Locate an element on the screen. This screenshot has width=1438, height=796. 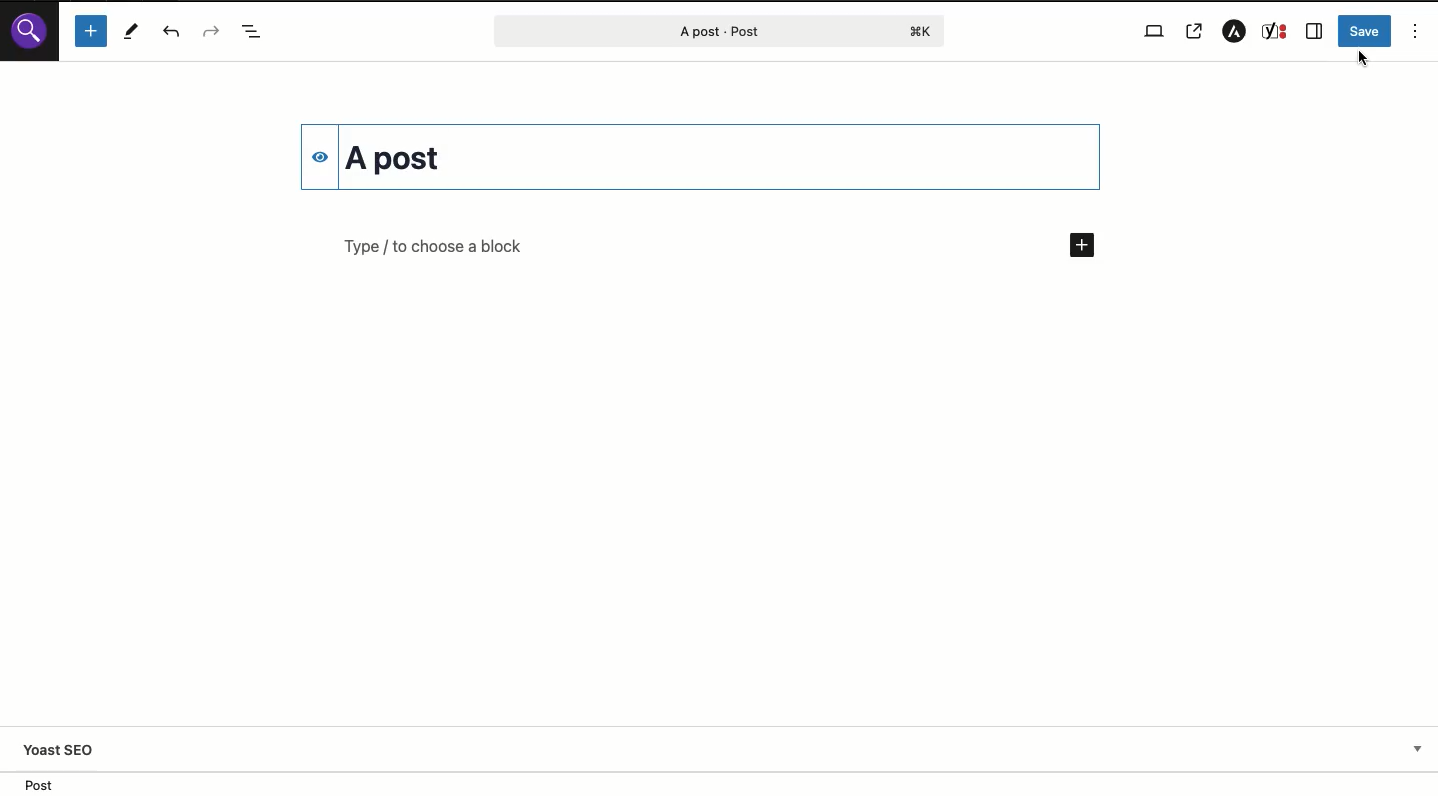
View is located at coordinates (1151, 30).